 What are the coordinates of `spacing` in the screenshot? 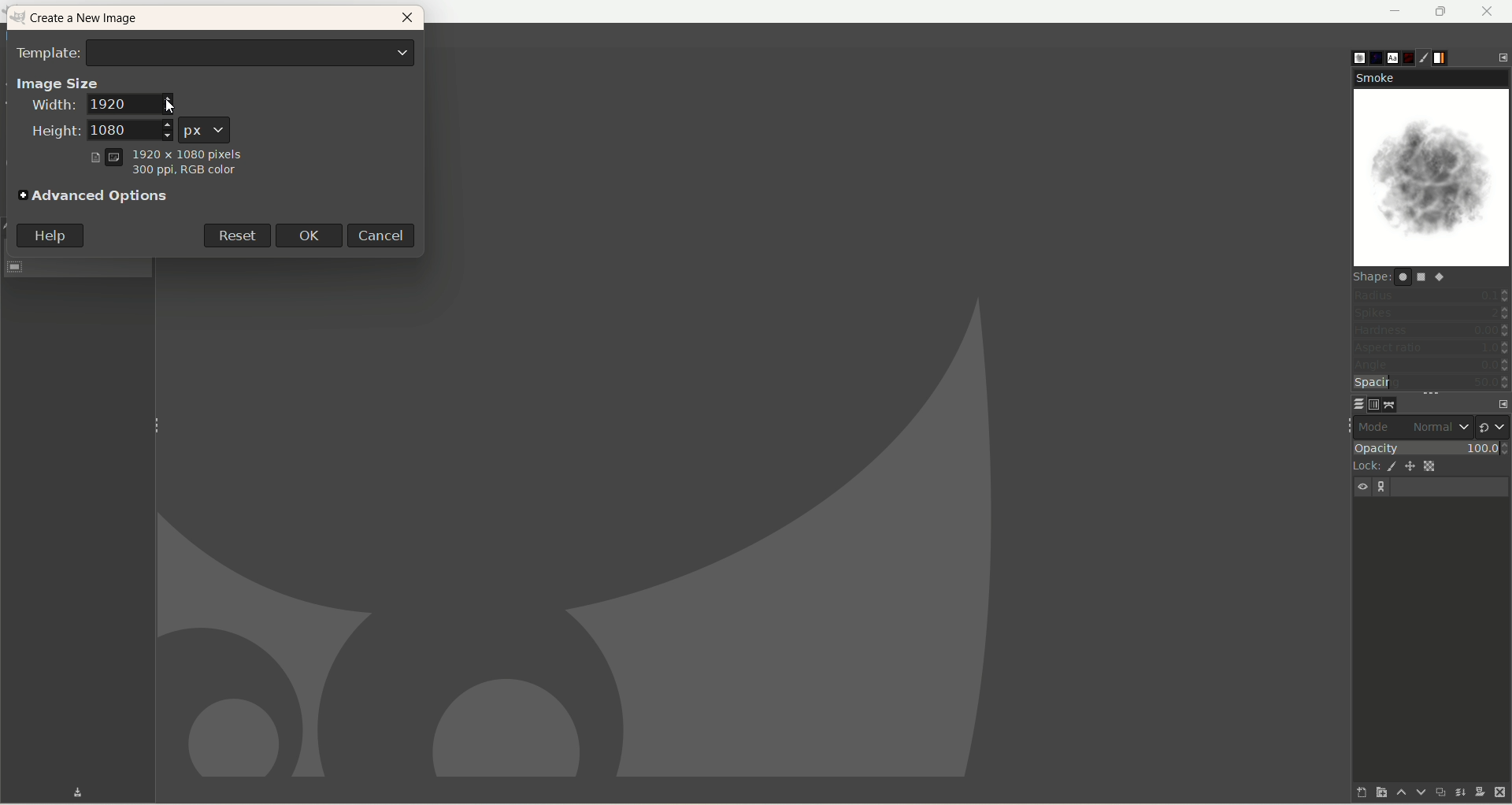 It's located at (1432, 384).